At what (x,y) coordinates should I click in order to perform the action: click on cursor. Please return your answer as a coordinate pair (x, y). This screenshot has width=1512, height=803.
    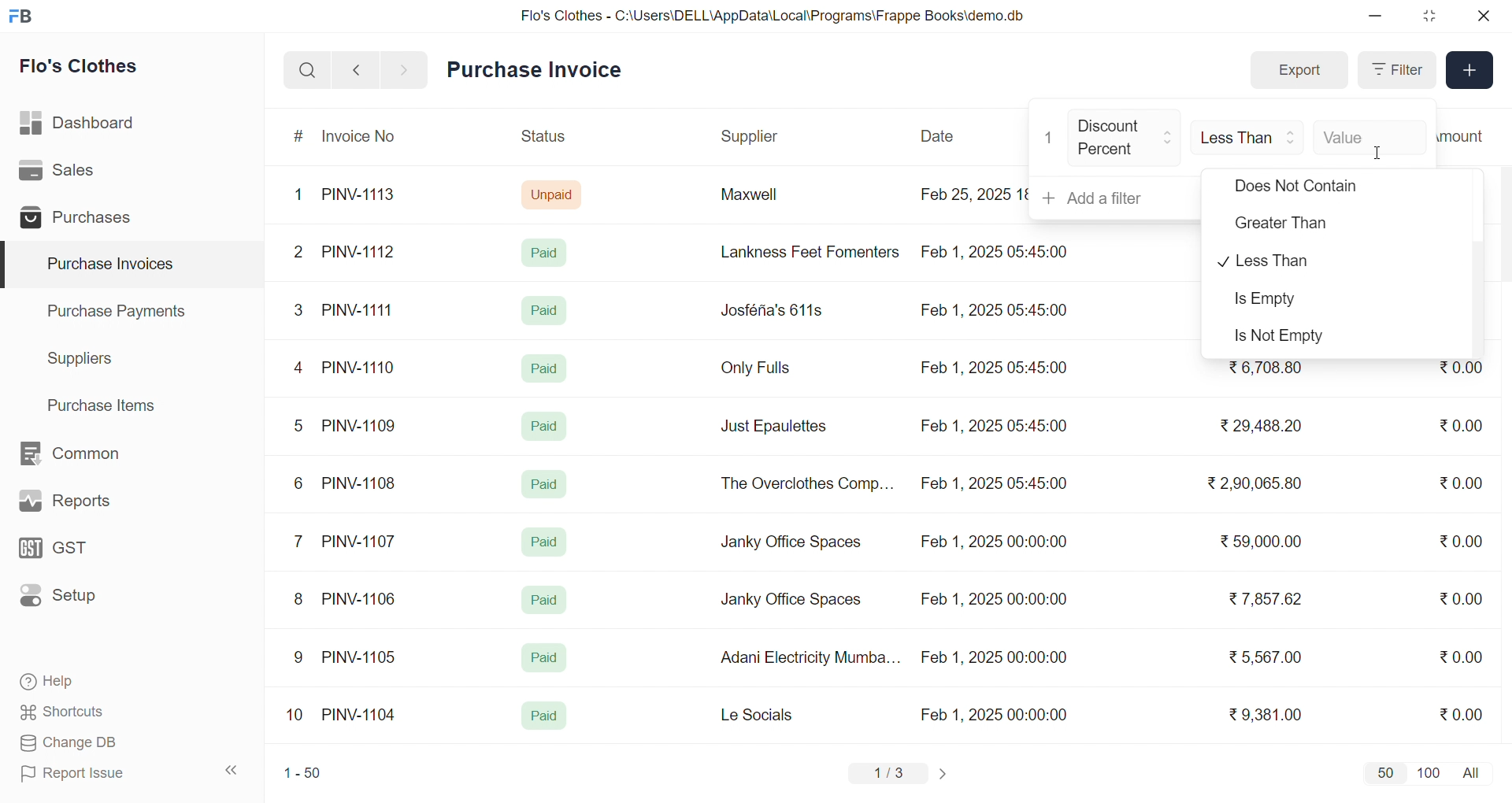
    Looking at the image, I should click on (1384, 154).